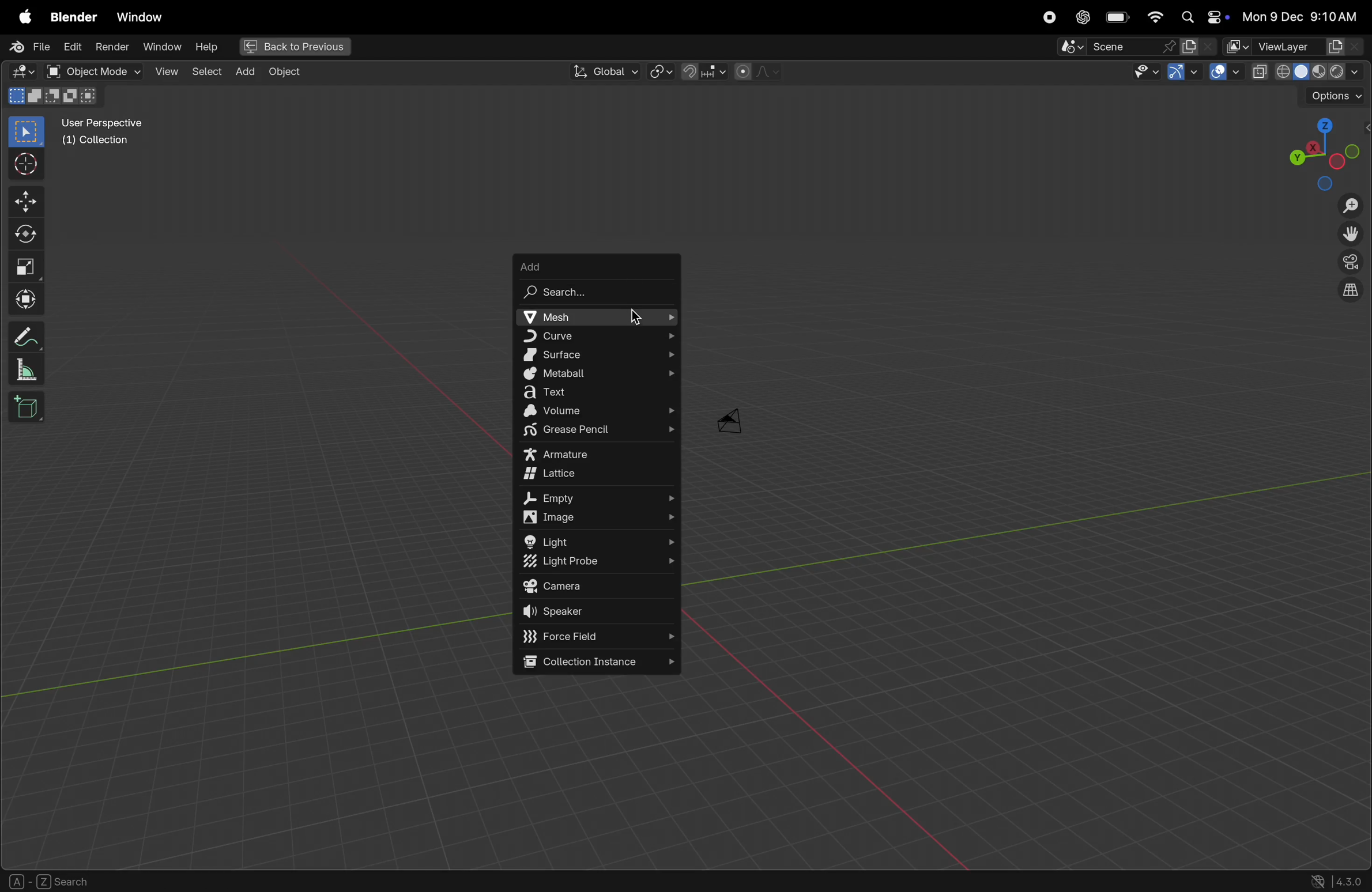 The image size is (1372, 892). Describe the element at coordinates (604, 412) in the screenshot. I see `volume` at that location.